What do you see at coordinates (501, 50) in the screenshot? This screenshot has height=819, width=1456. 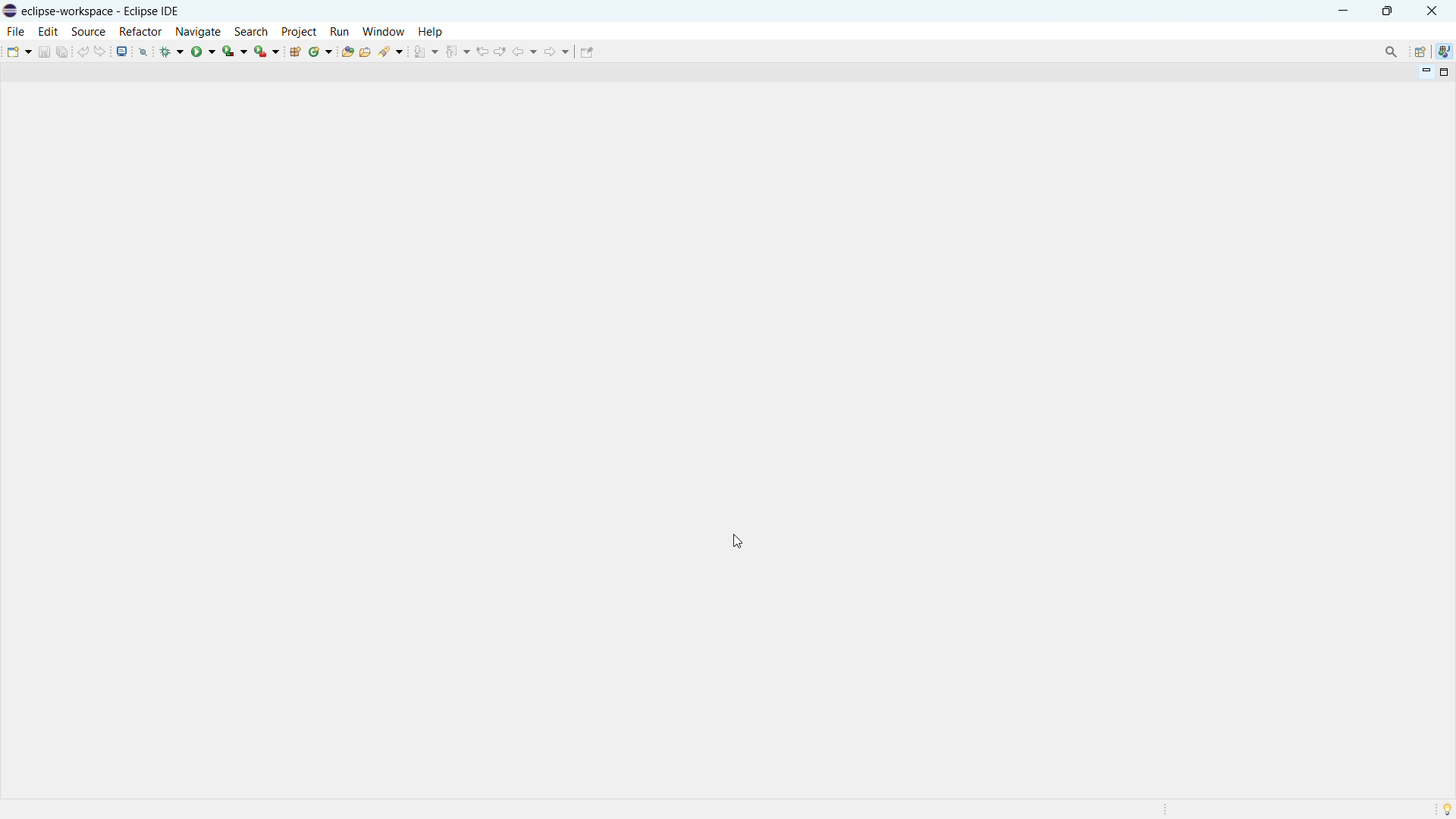 I see `view next location` at bounding box center [501, 50].